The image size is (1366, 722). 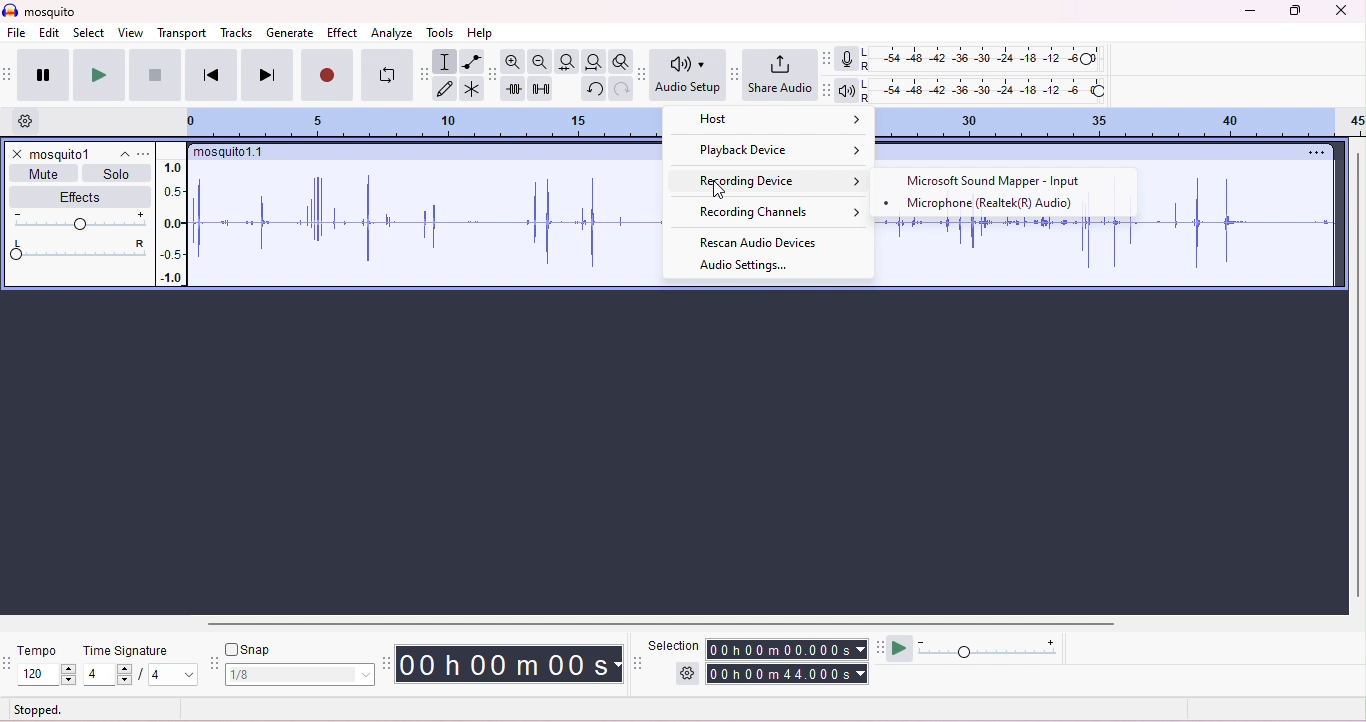 I want to click on waveform, so click(x=426, y=222).